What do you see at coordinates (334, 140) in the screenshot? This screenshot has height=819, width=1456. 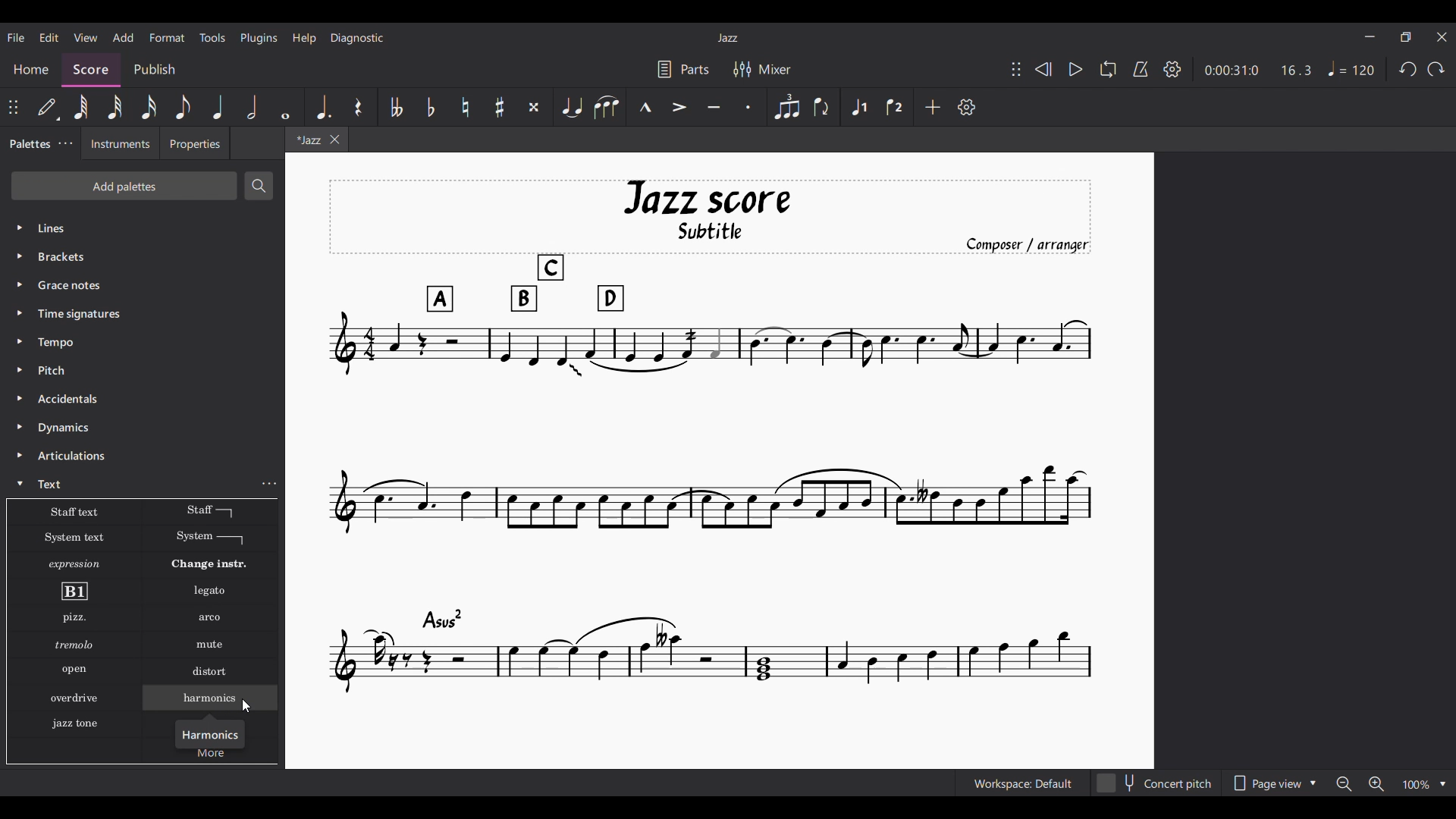 I see `Close tab` at bounding box center [334, 140].